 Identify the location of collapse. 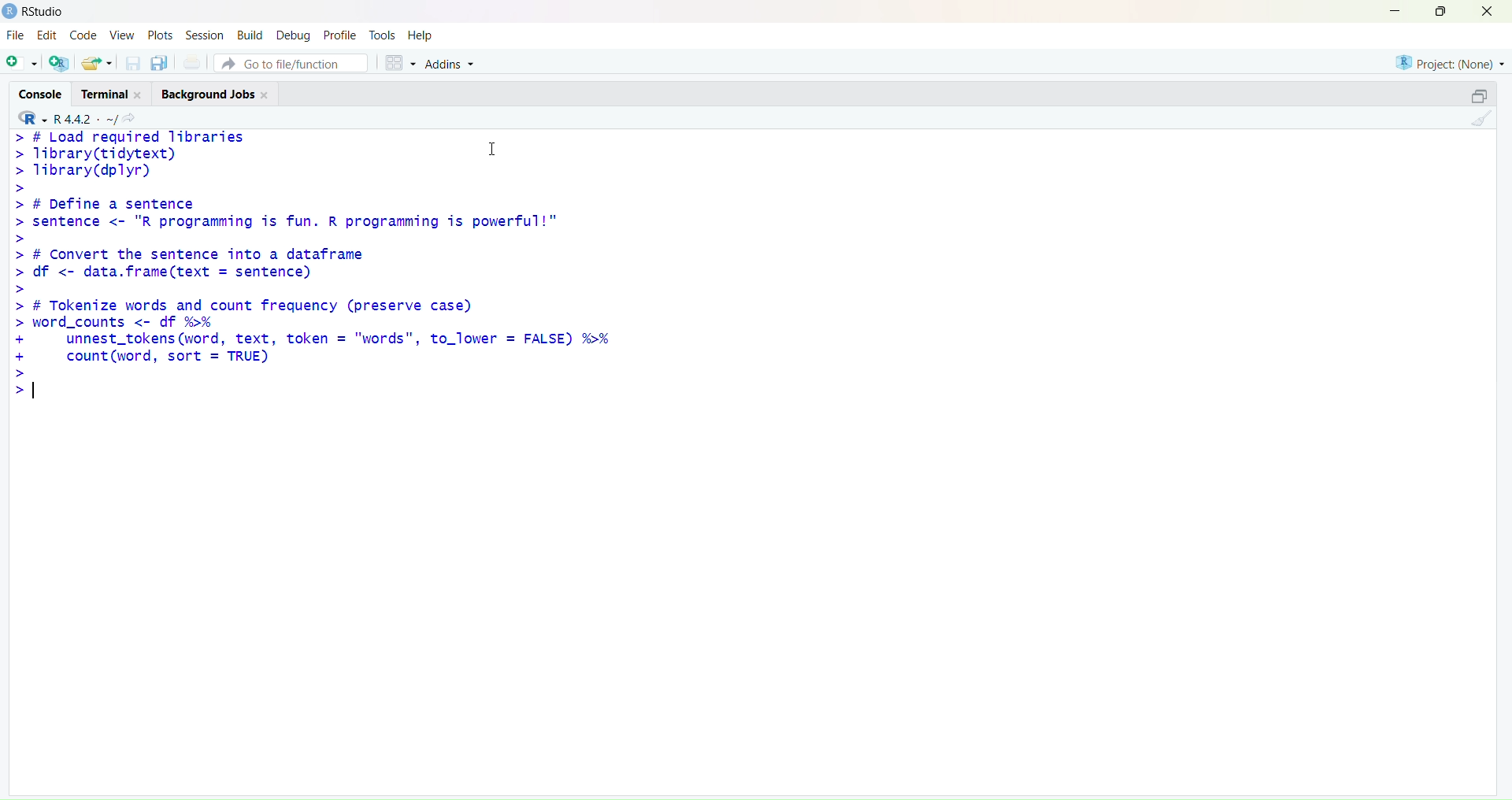
(1481, 95).